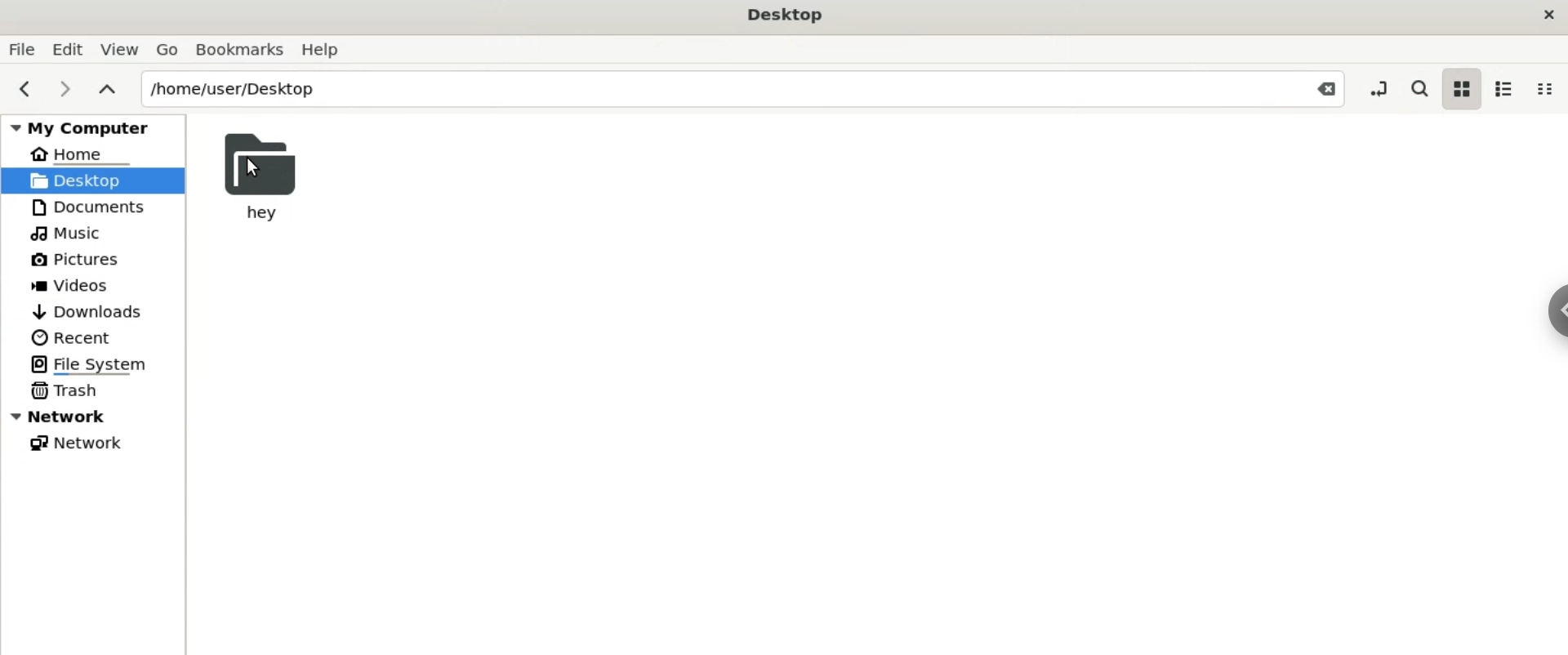  What do you see at coordinates (74, 443) in the screenshot?
I see `network` at bounding box center [74, 443].